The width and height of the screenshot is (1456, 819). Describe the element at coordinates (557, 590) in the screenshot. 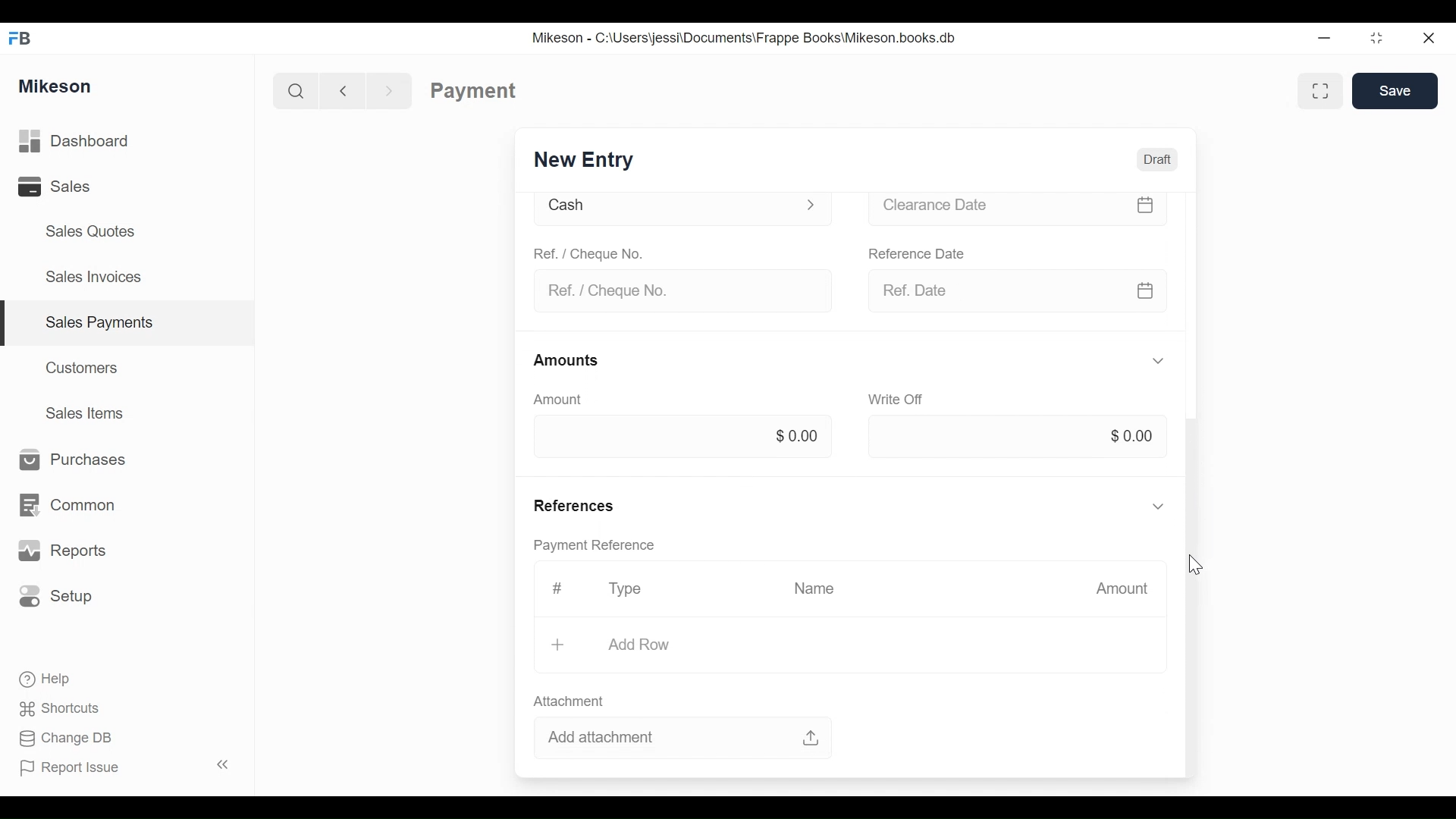

I see `Hashtag` at that location.